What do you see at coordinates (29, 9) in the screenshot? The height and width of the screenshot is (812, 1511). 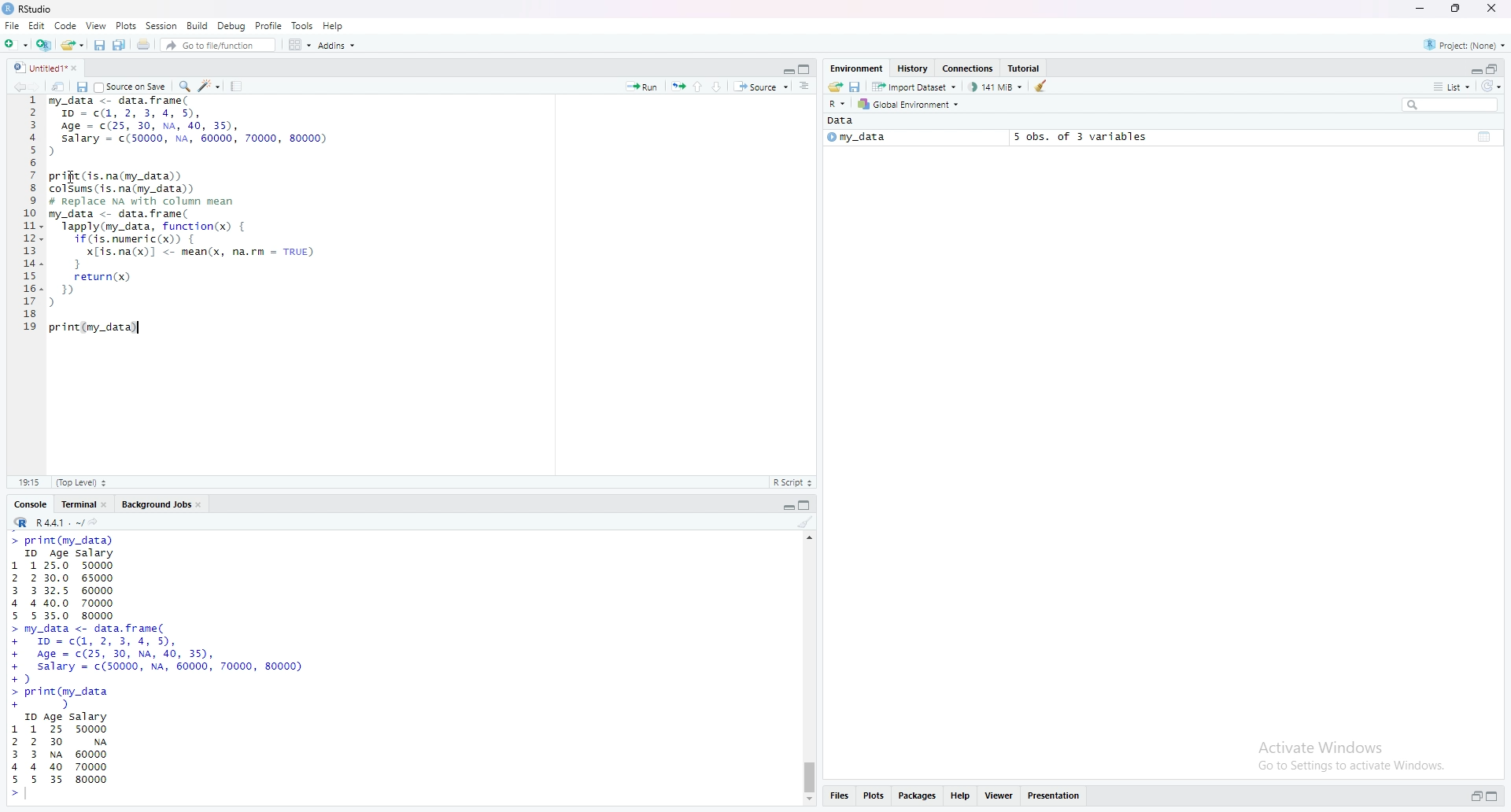 I see `Rstudio` at bounding box center [29, 9].